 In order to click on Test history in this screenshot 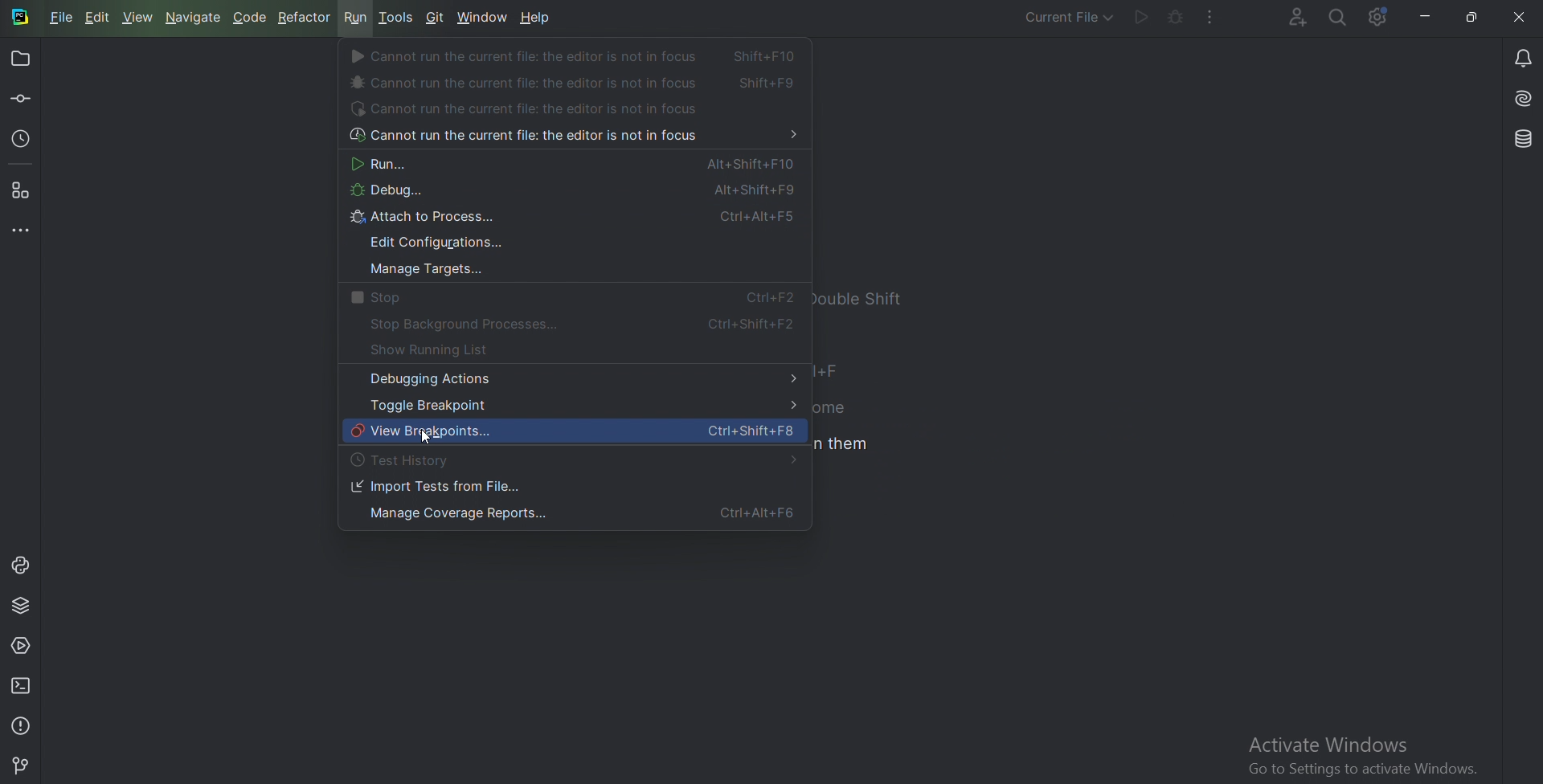, I will do `click(408, 461)`.